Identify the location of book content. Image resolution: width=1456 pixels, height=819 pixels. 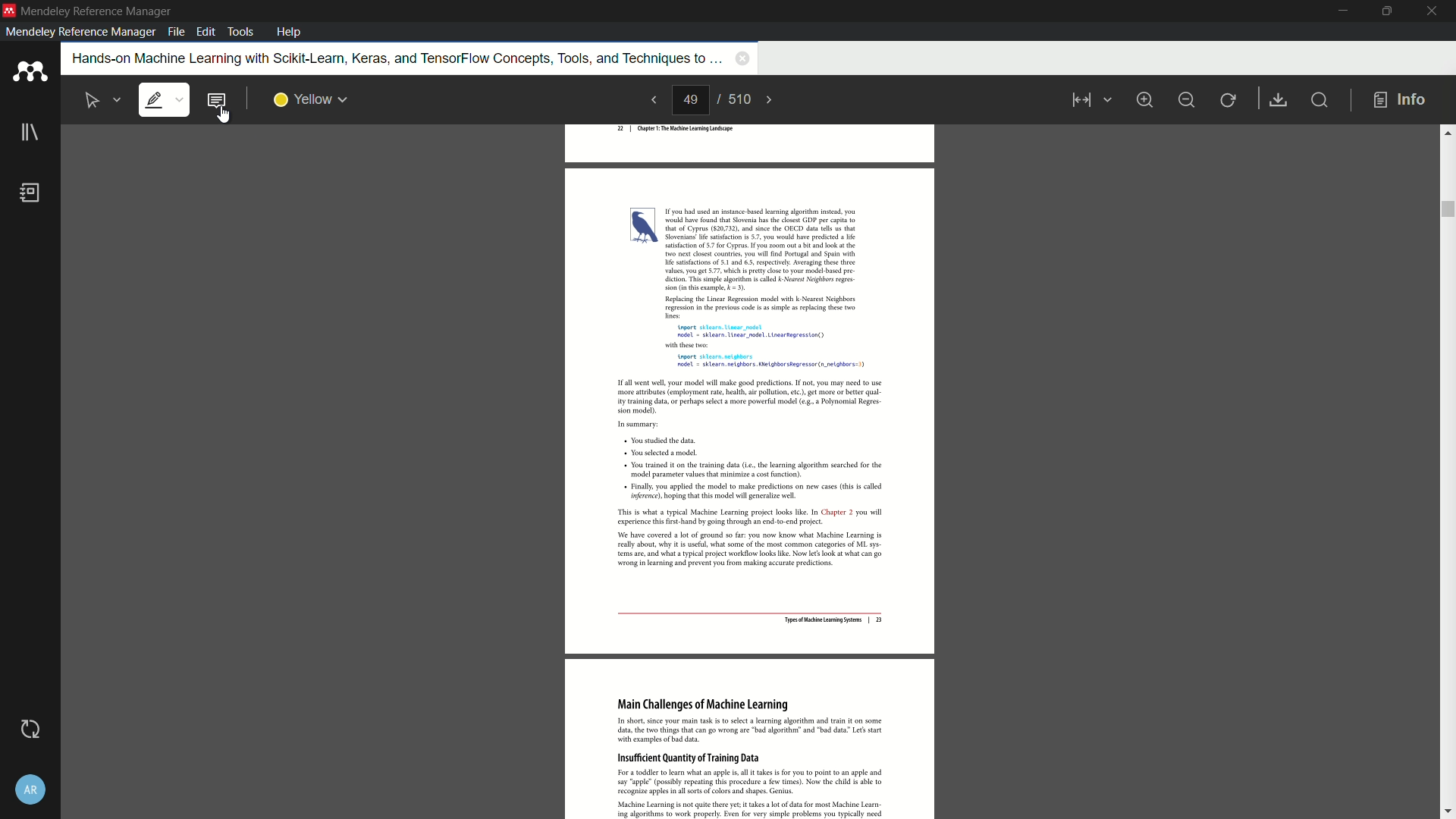
(750, 472).